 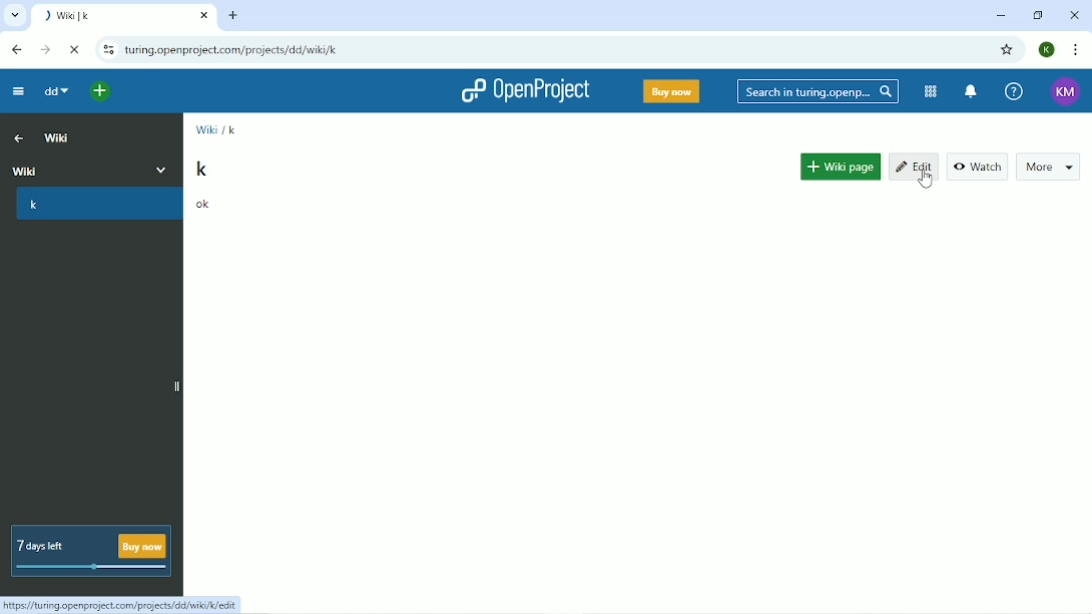 What do you see at coordinates (101, 90) in the screenshot?
I see `Open quick add menu` at bounding box center [101, 90].